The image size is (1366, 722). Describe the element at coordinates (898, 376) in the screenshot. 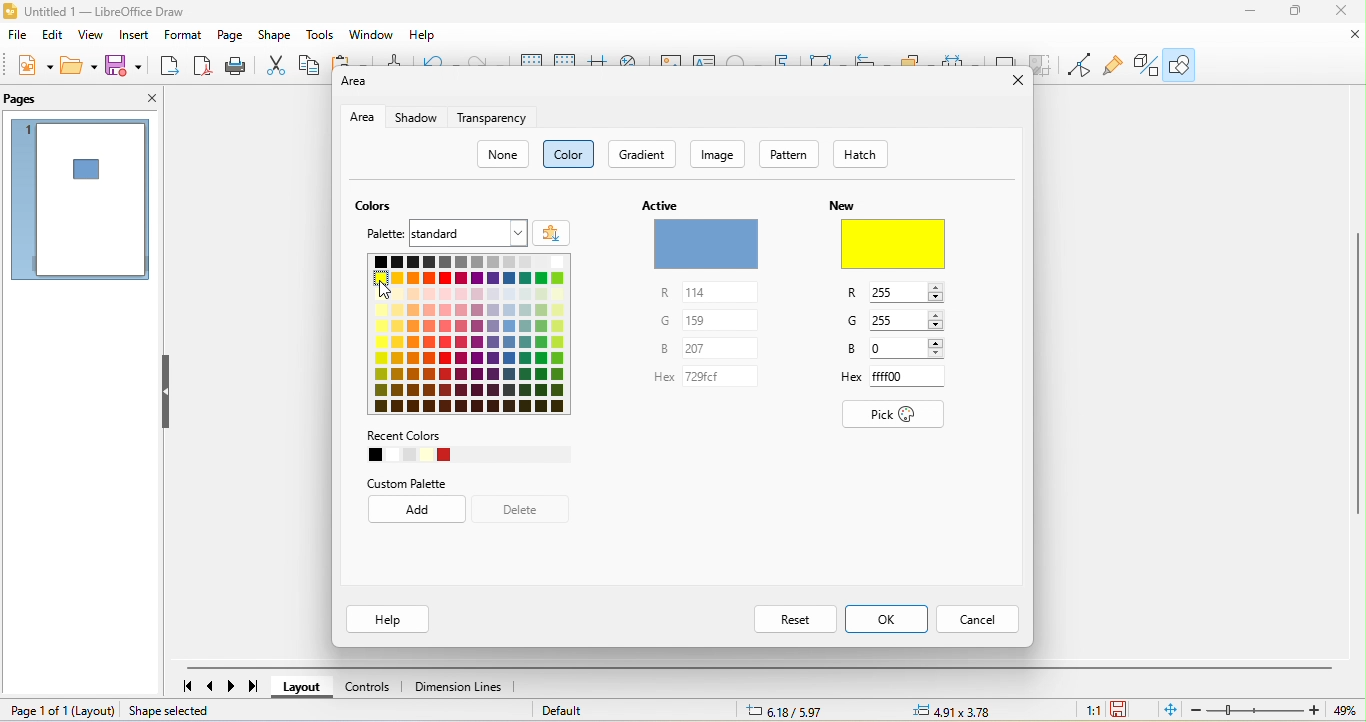

I see `hex ffff00` at that location.